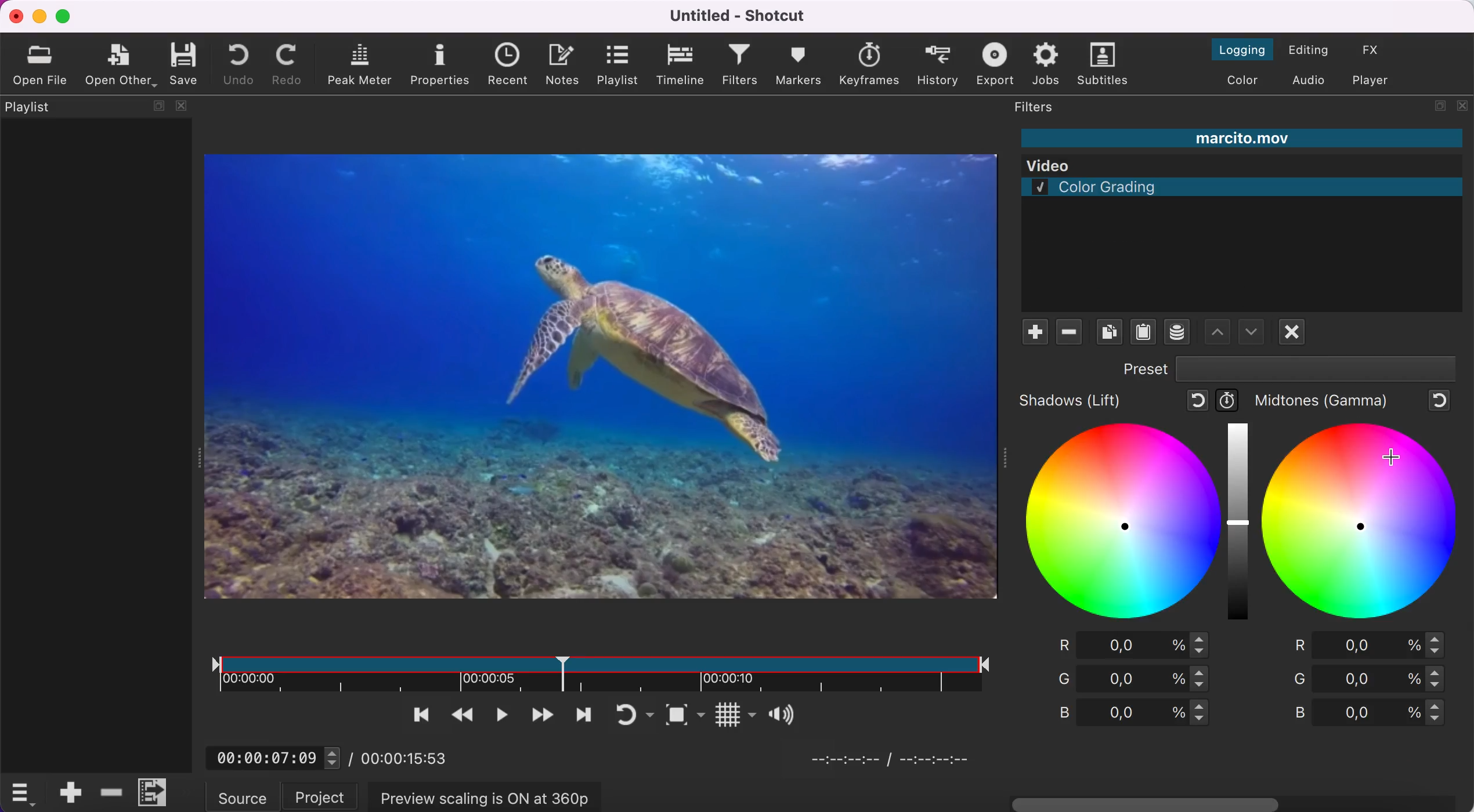 This screenshot has width=1474, height=812. What do you see at coordinates (782, 713) in the screenshot?
I see `` at bounding box center [782, 713].